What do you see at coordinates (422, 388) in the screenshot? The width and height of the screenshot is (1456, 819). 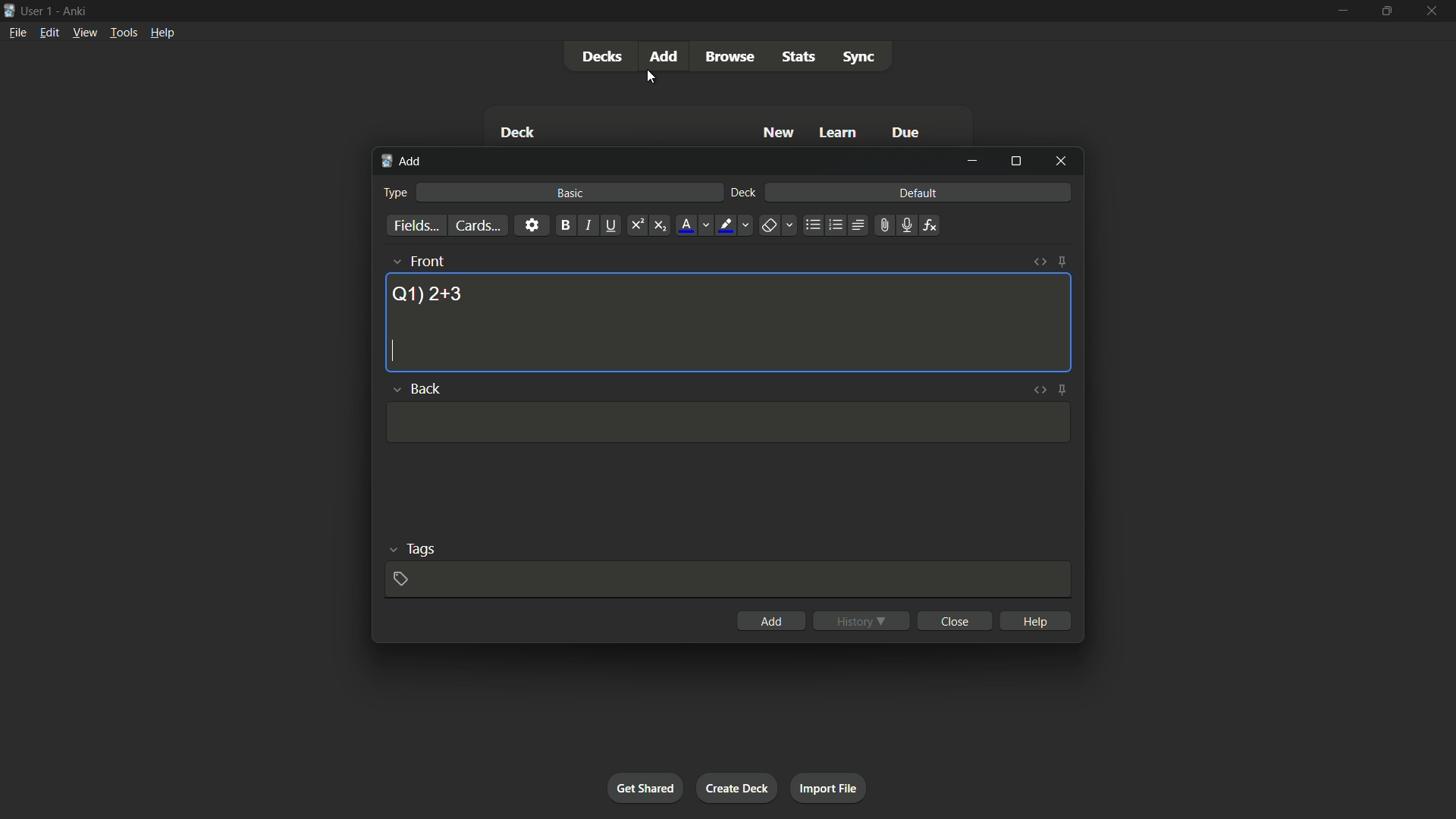 I see `back` at bounding box center [422, 388].